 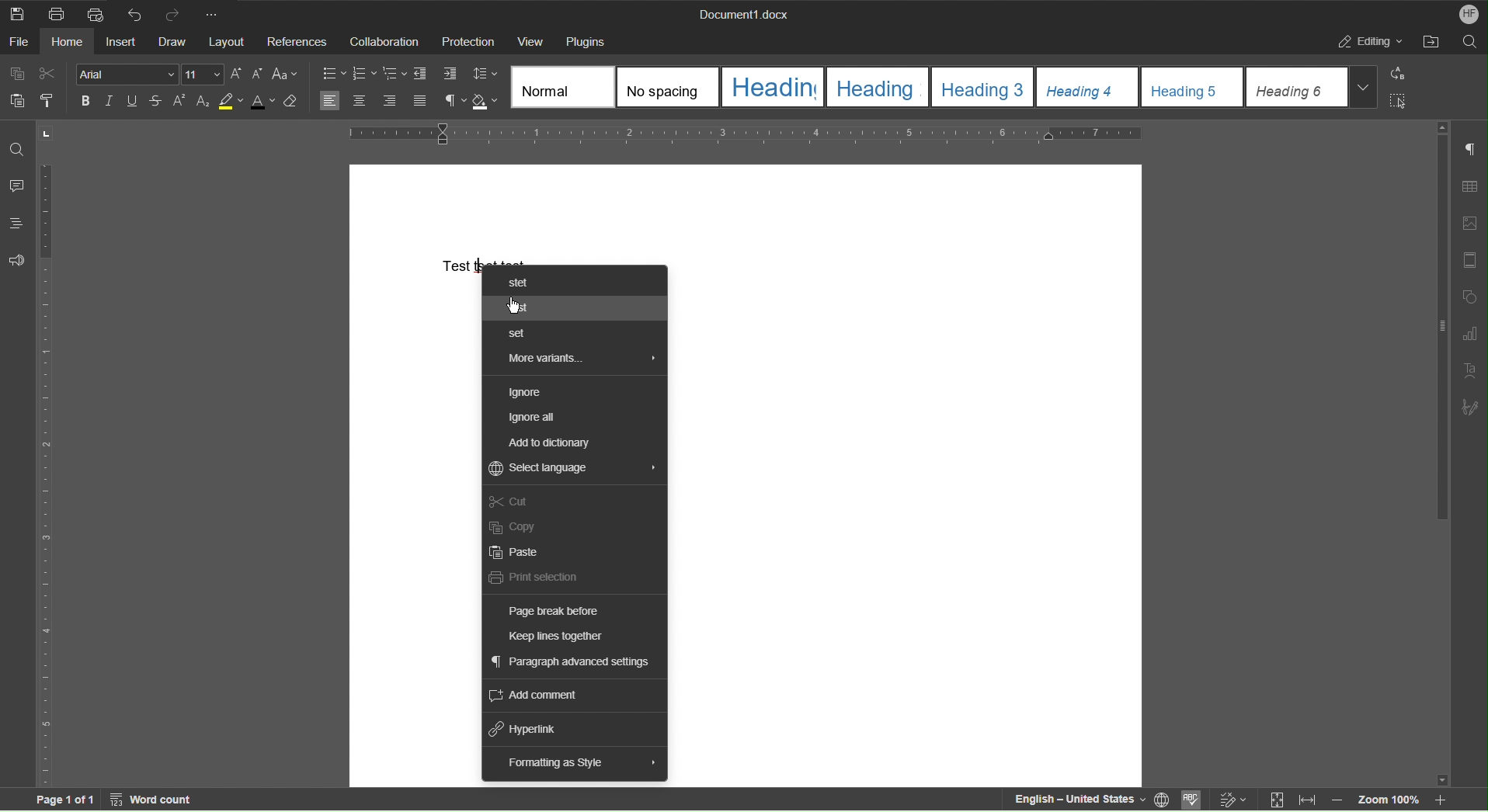 I want to click on Font, so click(x=127, y=75).